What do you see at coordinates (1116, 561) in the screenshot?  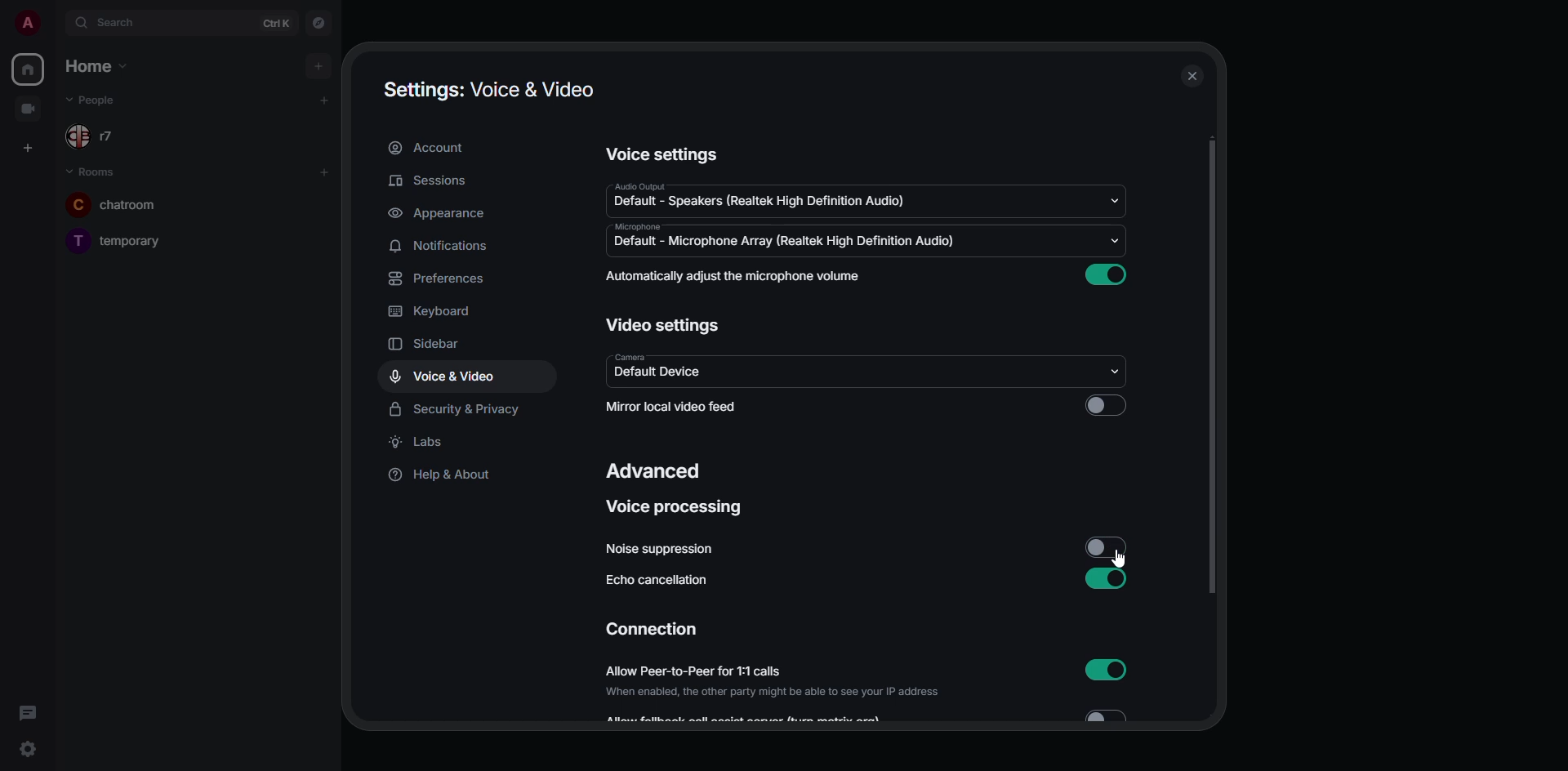 I see `cursor` at bounding box center [1116, 561].